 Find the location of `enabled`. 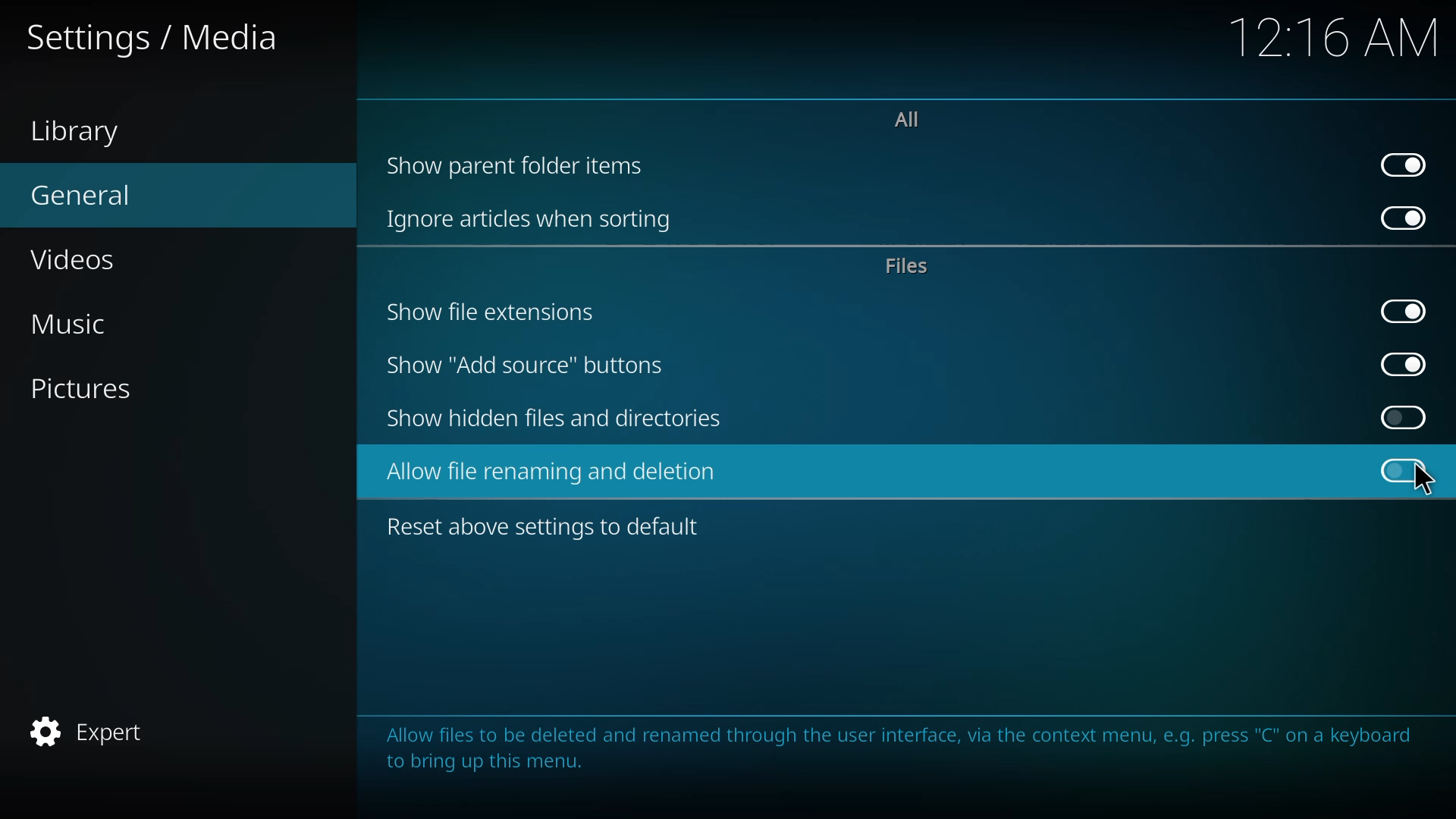

enabled is located at coordinates (1406, 162).